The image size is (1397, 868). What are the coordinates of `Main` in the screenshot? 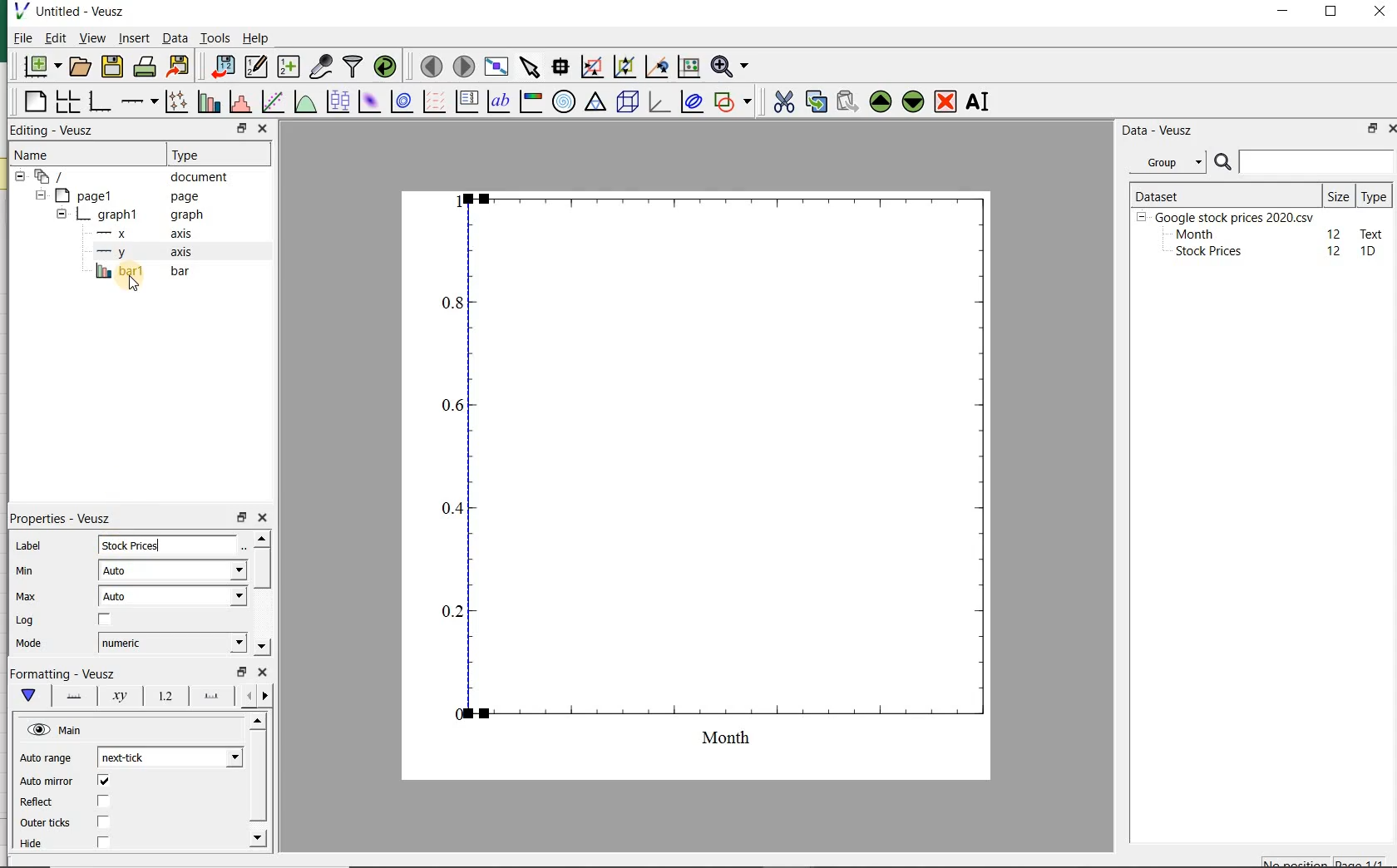 It's located at (56, 730).